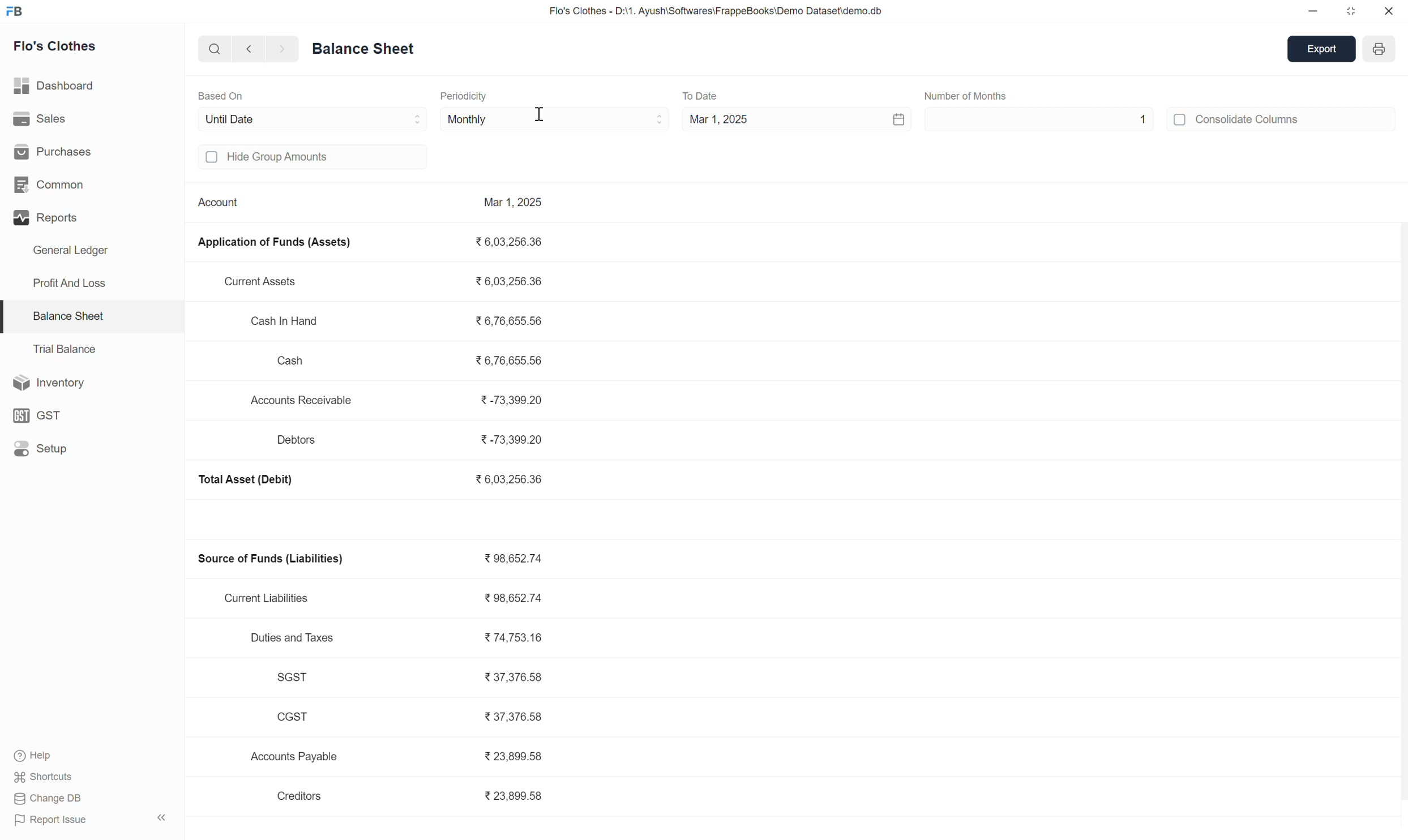 The width and height of the screenshot is (1408, 840). Describe the element at coordinates (226, 93) in the screenshot. I see `Based On` at that location.